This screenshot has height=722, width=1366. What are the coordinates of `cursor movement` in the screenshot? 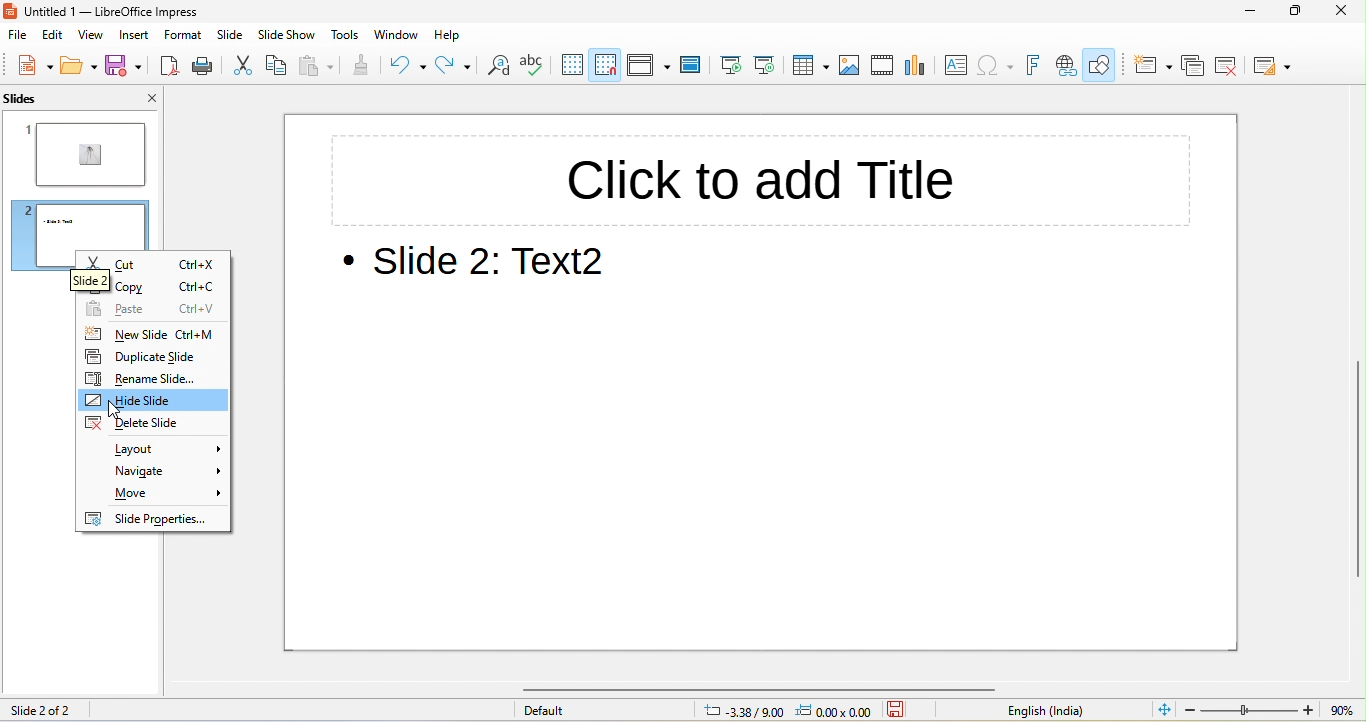 It's located at (120, 409).